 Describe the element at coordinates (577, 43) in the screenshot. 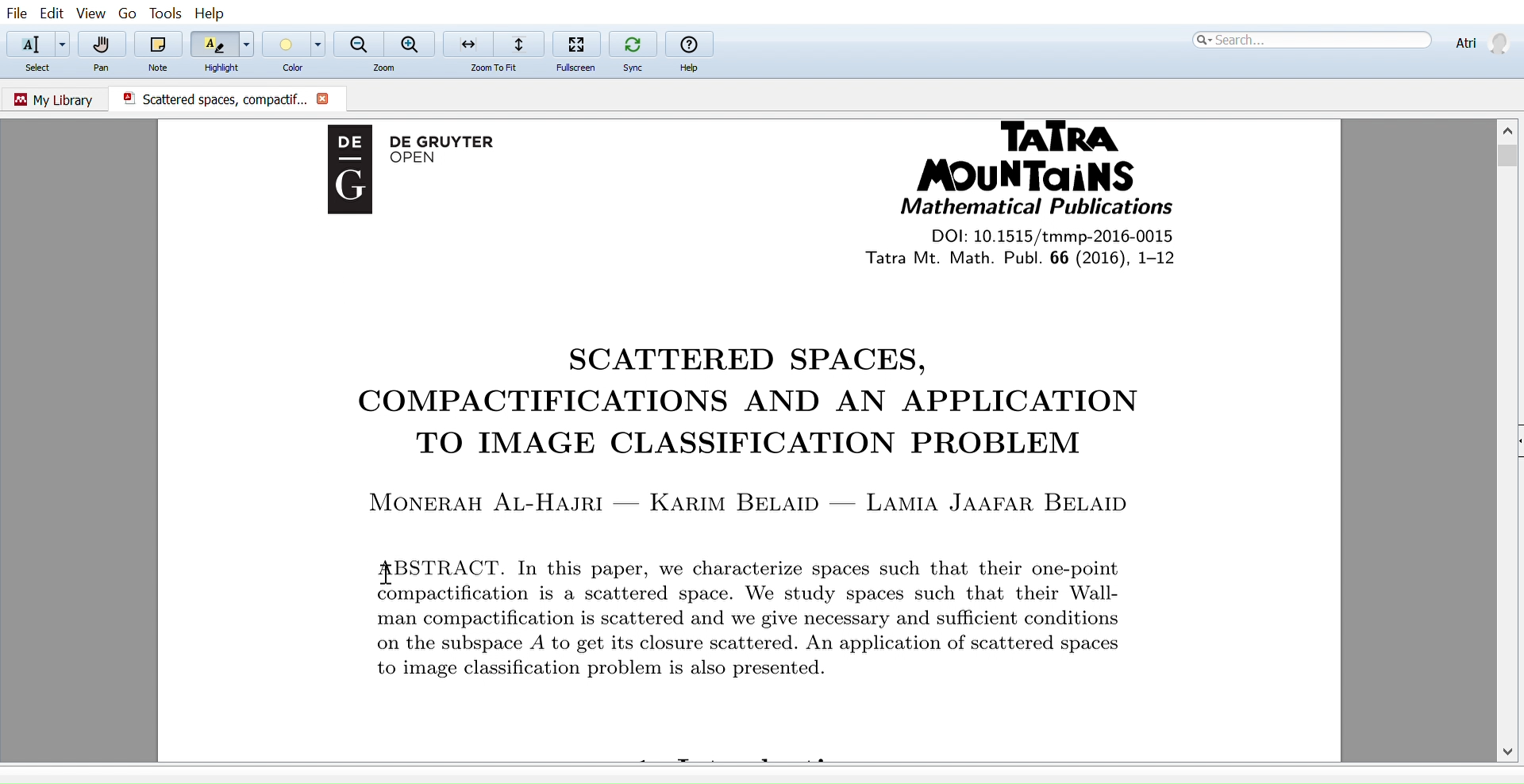

I see `Fullscreen` at that location.